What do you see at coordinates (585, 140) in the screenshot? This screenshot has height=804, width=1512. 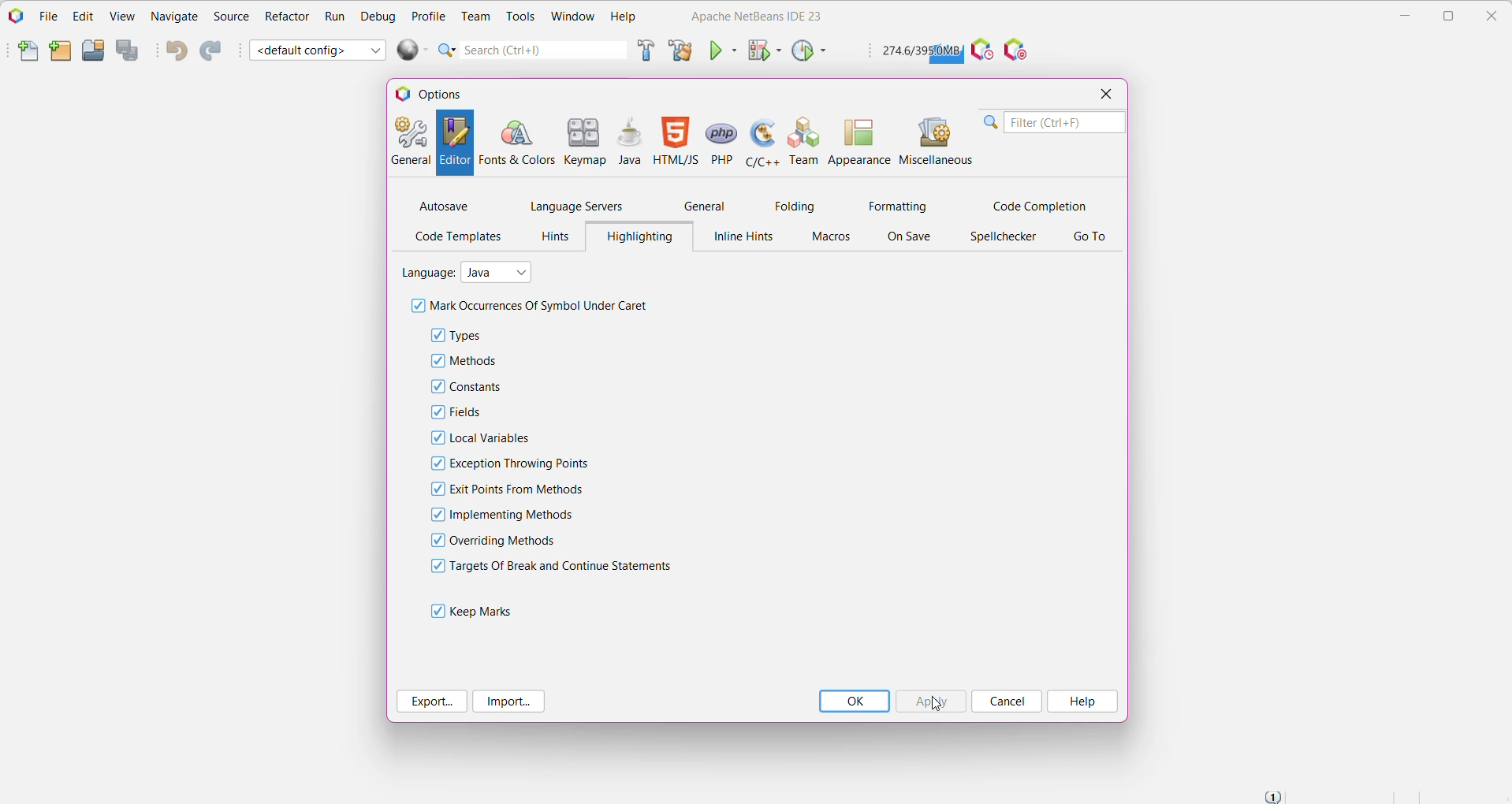 I see `Keymap` at bounding box center [585, 140].